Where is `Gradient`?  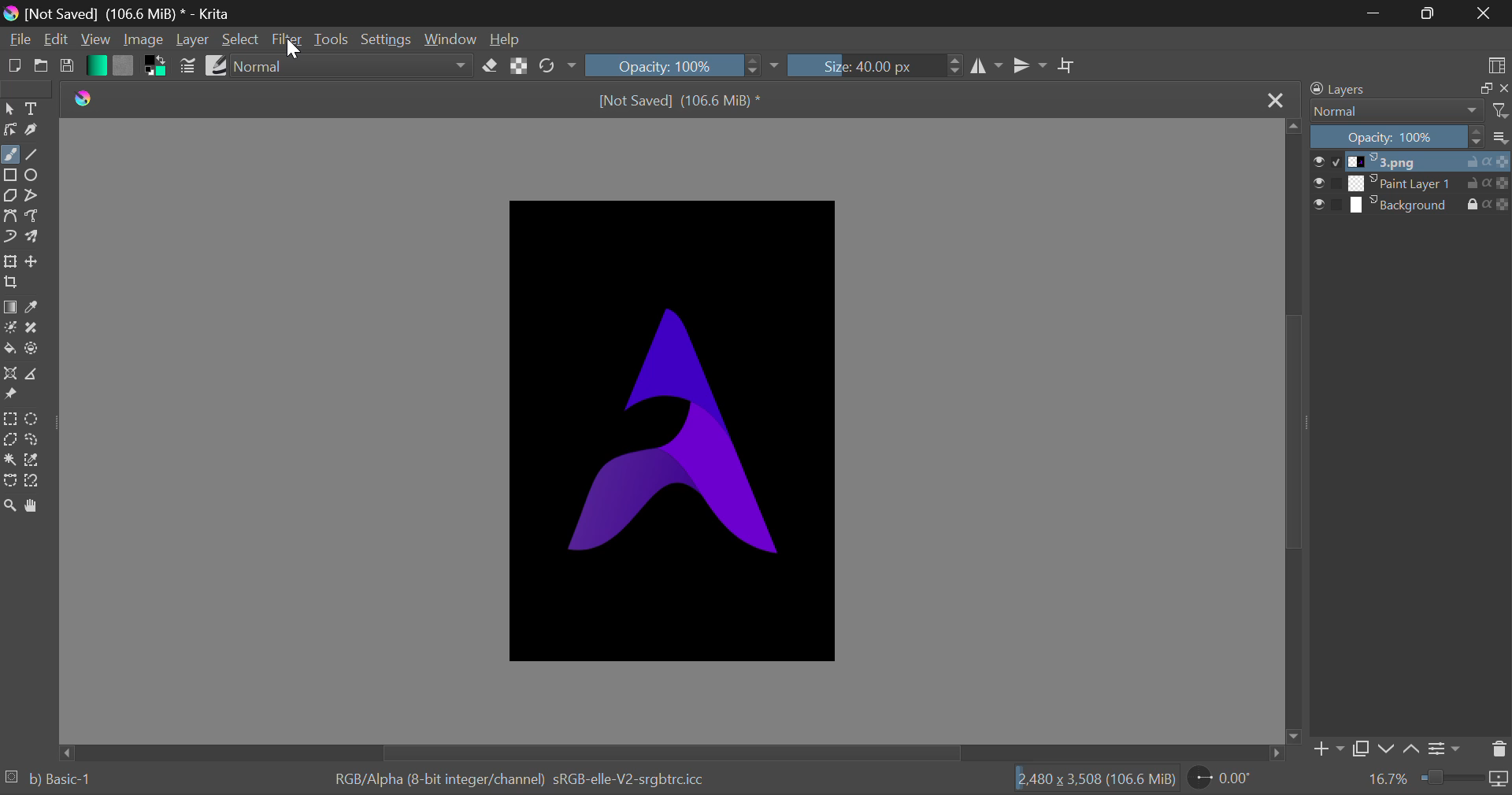
Gradient is located at coordinates (95, 66).